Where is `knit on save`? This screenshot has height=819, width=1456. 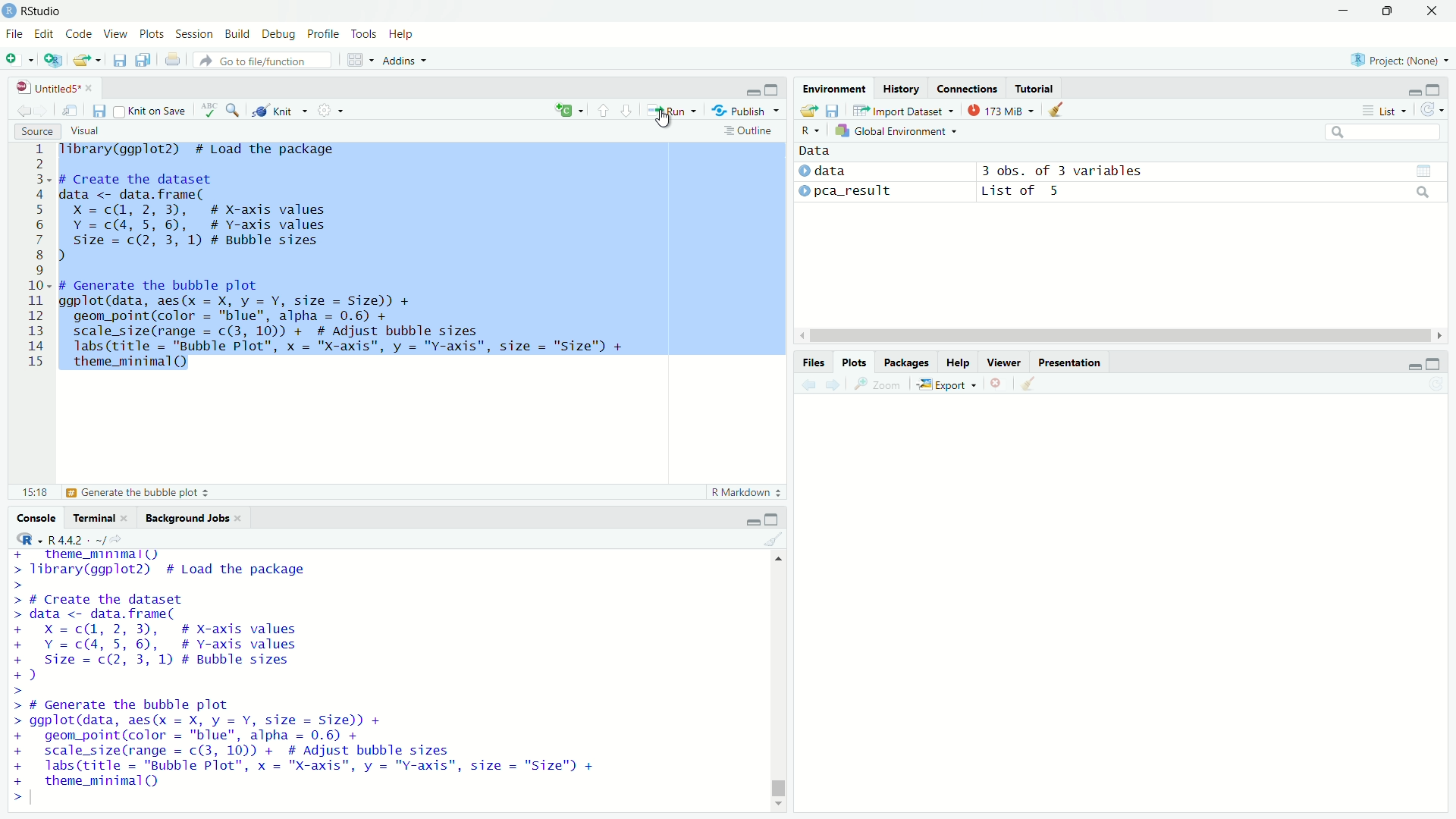 knit on save is located at coordinates (152, 110).